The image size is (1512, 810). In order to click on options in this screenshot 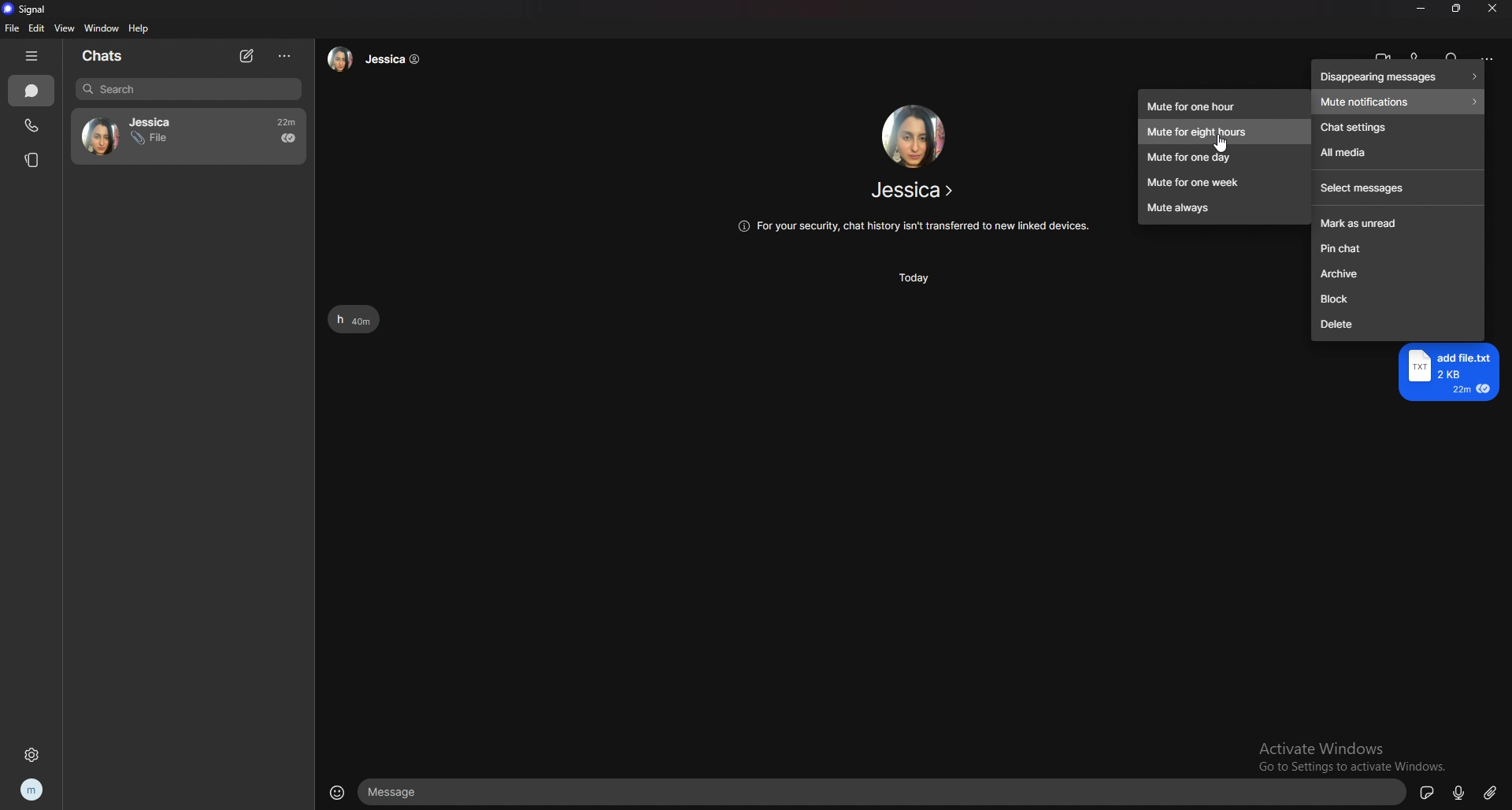, I will do `click(286, 57)`.